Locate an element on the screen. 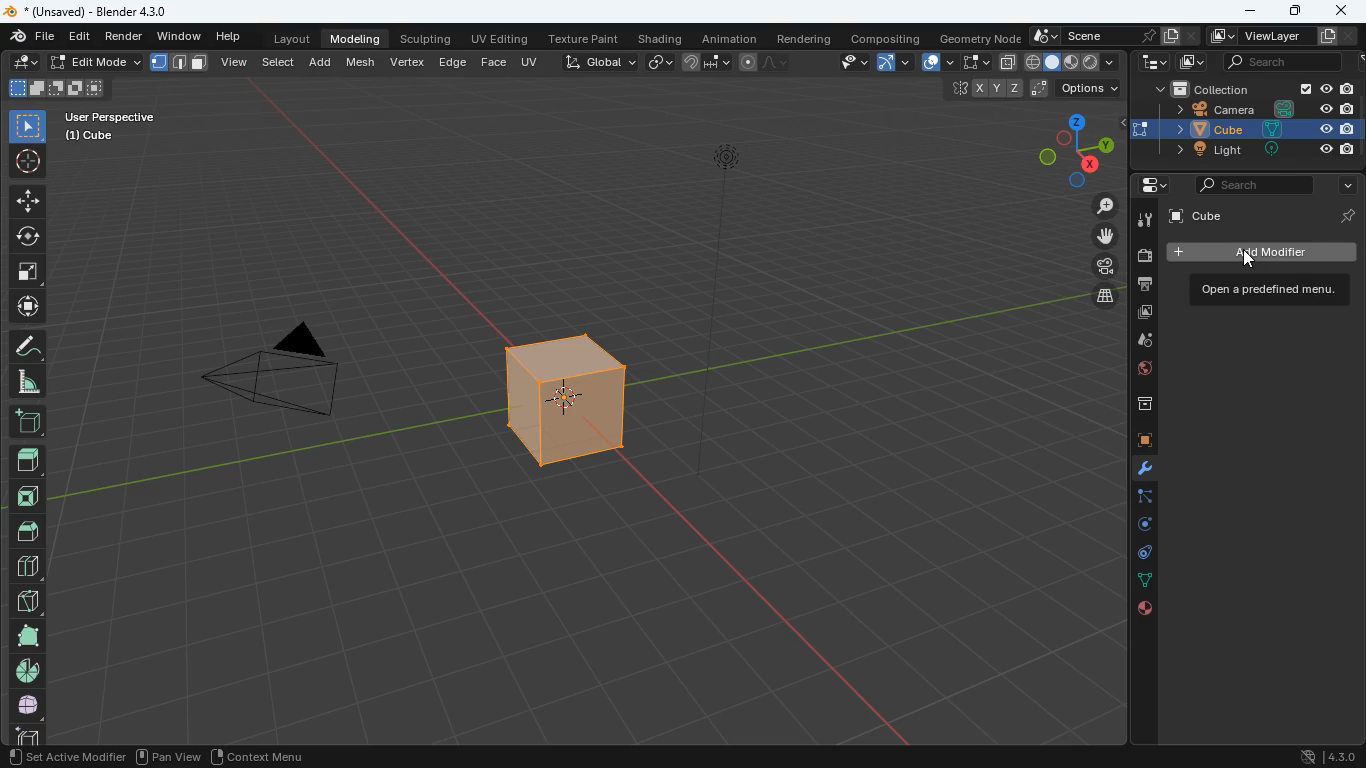 Image resolution: width=1366 pixels, height=768 pixels. rotate is located at coordinates (27, 236).